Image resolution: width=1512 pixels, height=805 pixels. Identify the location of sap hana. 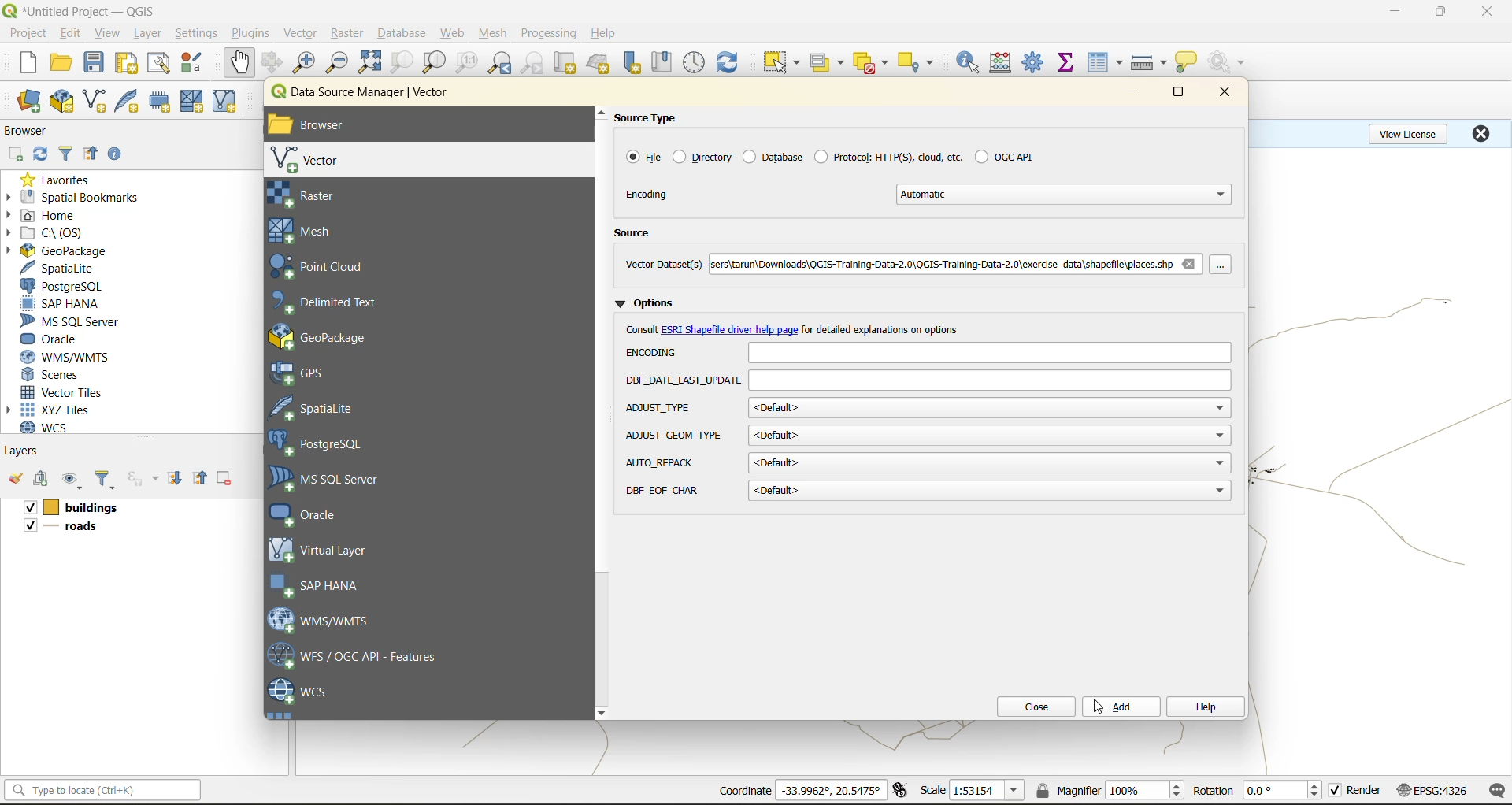
(318, 586).